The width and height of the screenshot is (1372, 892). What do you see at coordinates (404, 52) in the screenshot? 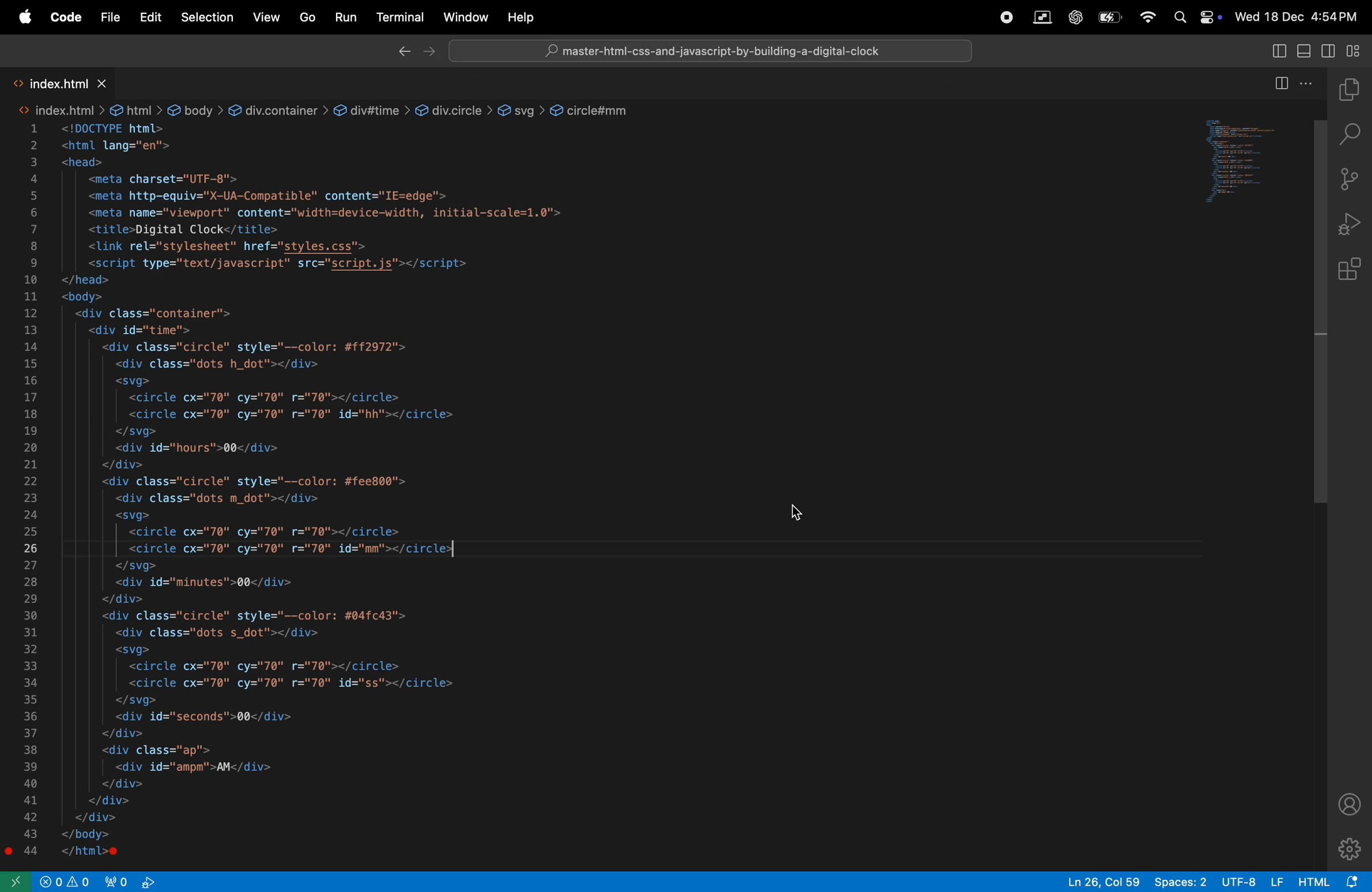
I see `back ward` at bounding box center [404, 52].